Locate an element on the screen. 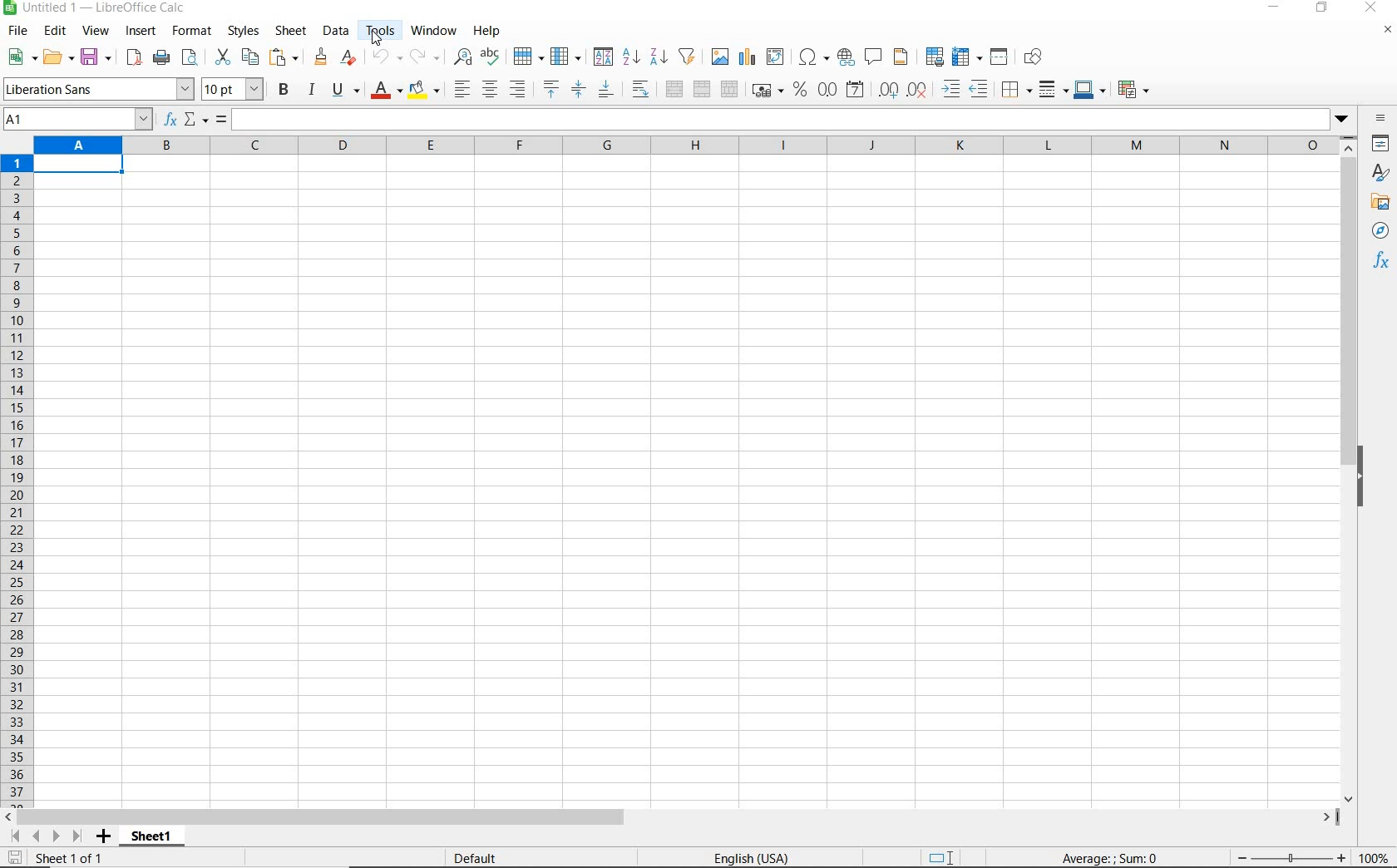 This screenshot has height=868, width=1397. insert is located at coordinates (142, 31).